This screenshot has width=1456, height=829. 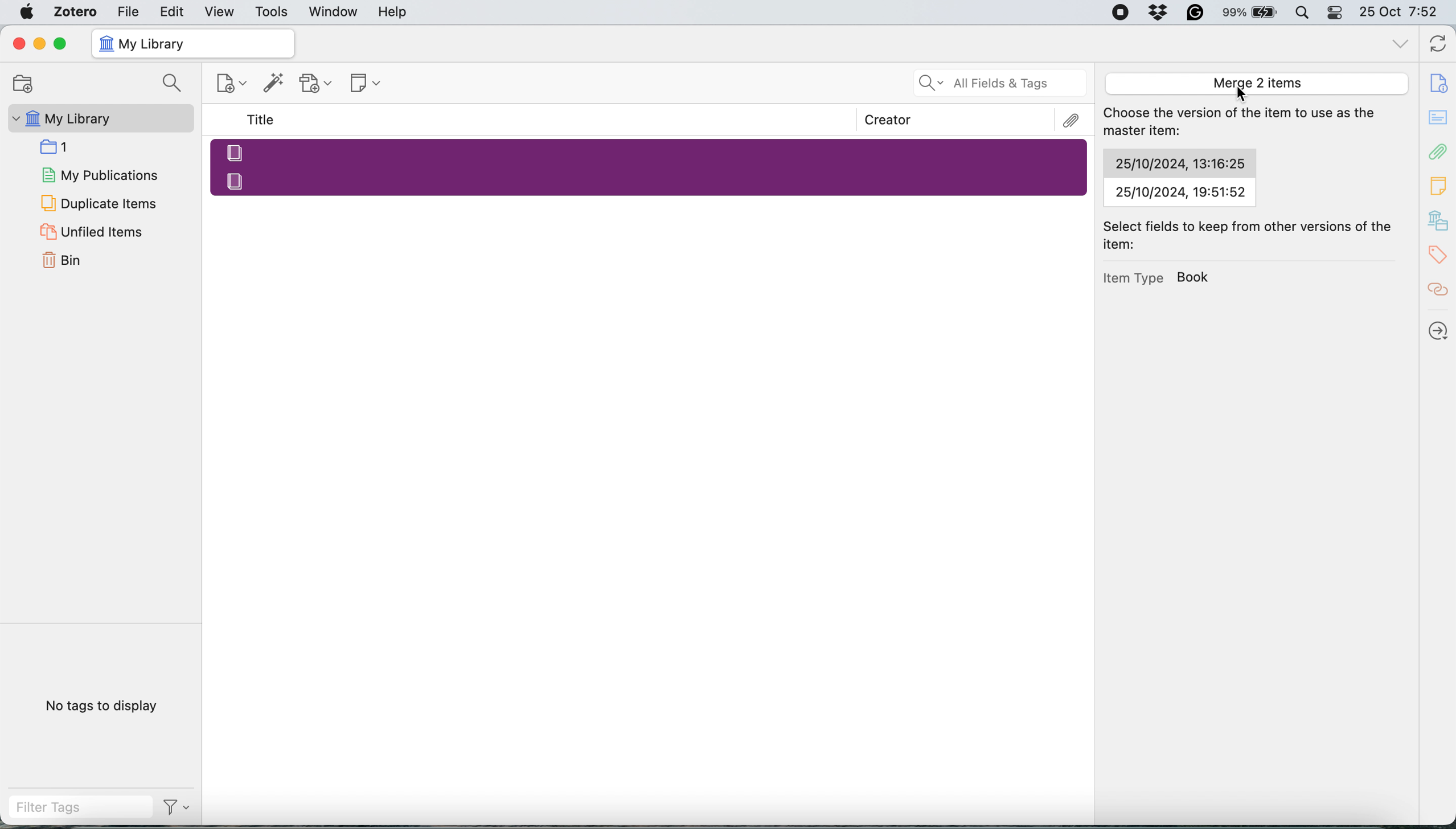 I want to click on Screen recording, so click(x=1119, y=13).